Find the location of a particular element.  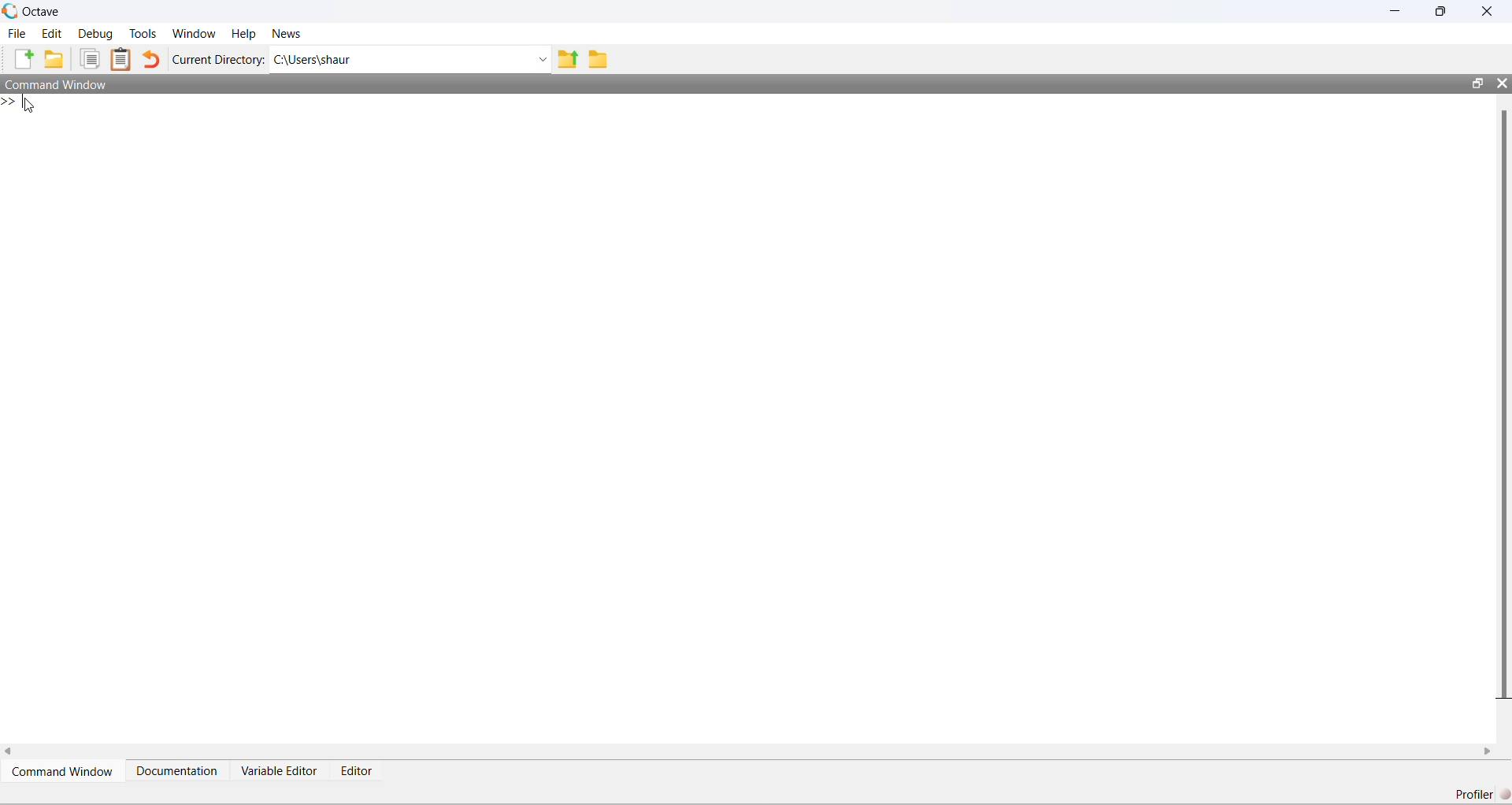

File is located at coordinates (17, 34).